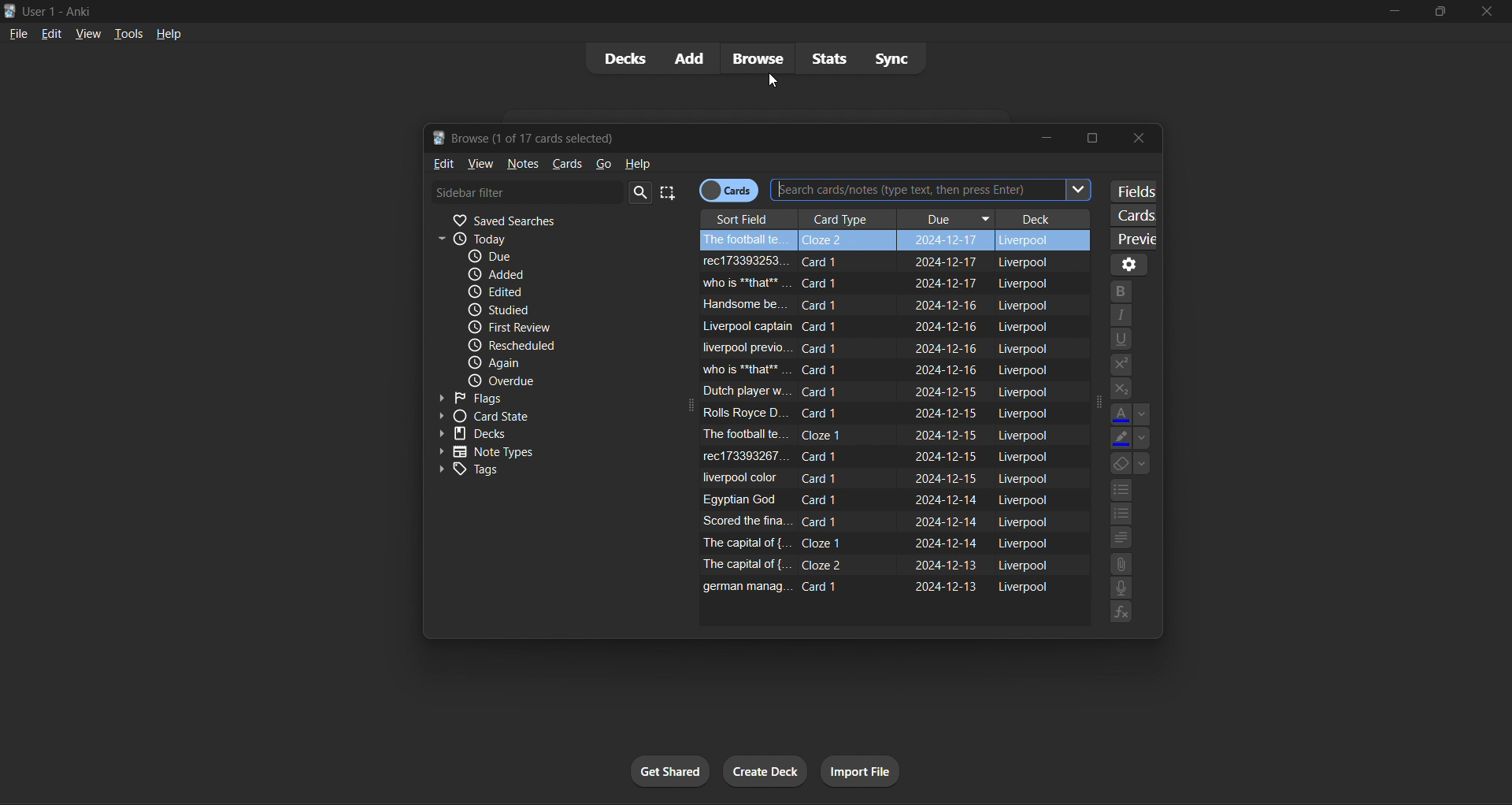  What do you see at coordinates (827, 263) in the screenshot?
I see `card 1` at bounding box center [827, 263].